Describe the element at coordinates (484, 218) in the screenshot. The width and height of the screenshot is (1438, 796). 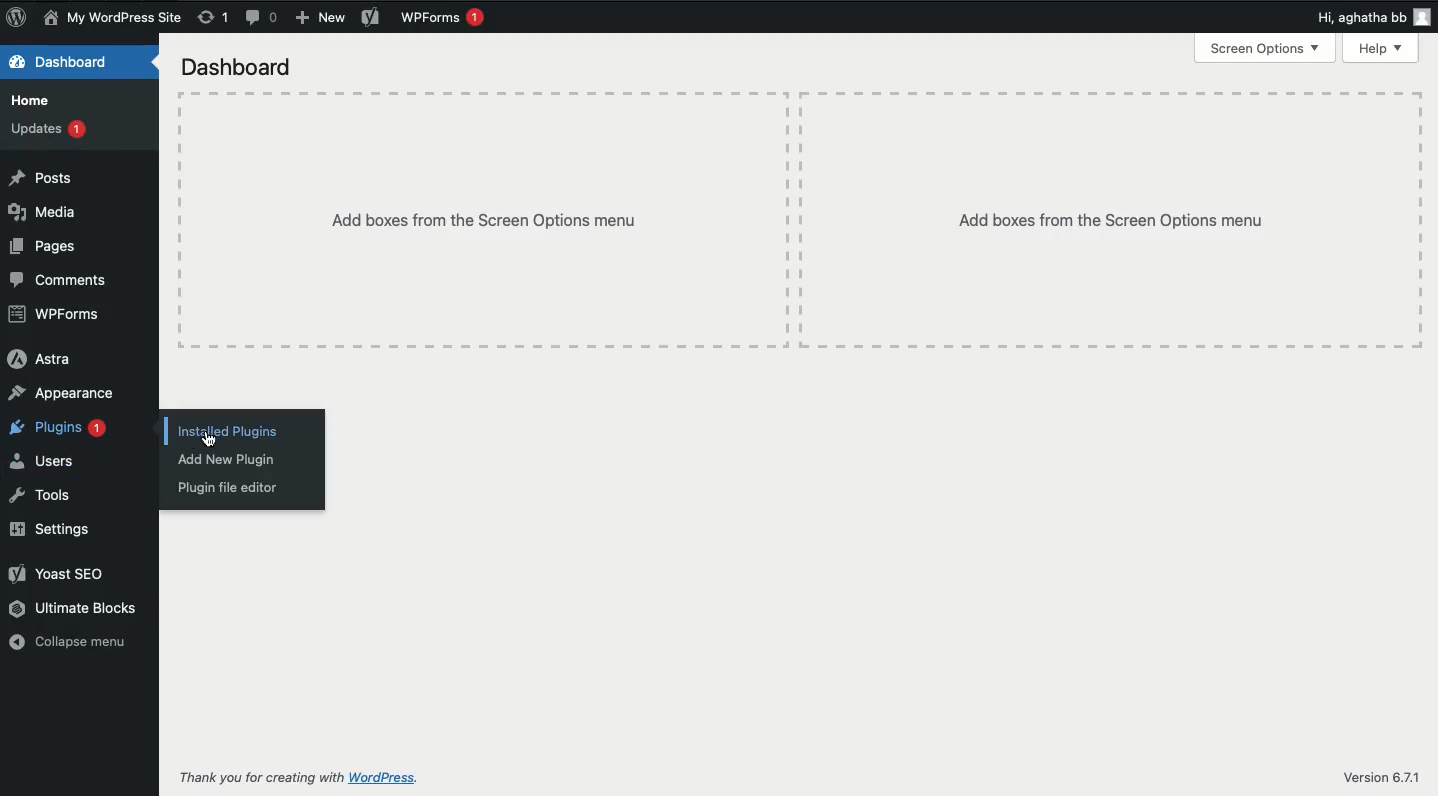
I see `Add boxes from the Screen options menu` at that location.